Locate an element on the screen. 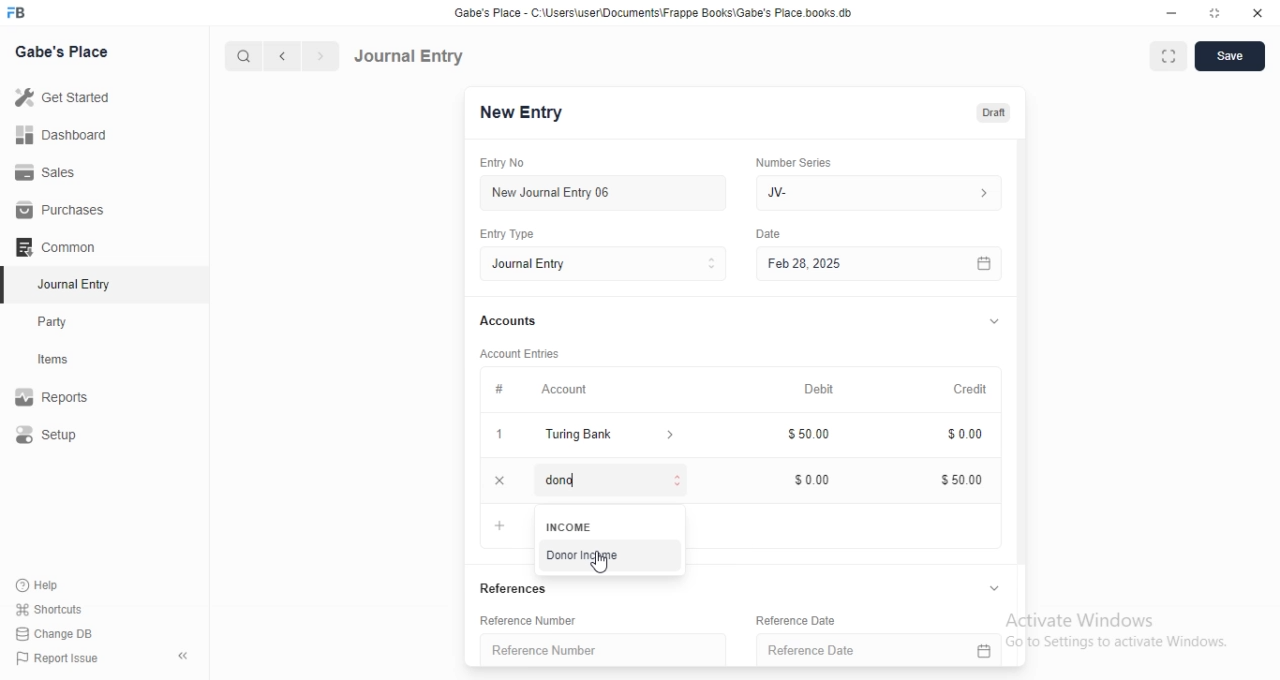 This screenshot has width=1280, height=680. Add Row is located at coordinates (496, 527).